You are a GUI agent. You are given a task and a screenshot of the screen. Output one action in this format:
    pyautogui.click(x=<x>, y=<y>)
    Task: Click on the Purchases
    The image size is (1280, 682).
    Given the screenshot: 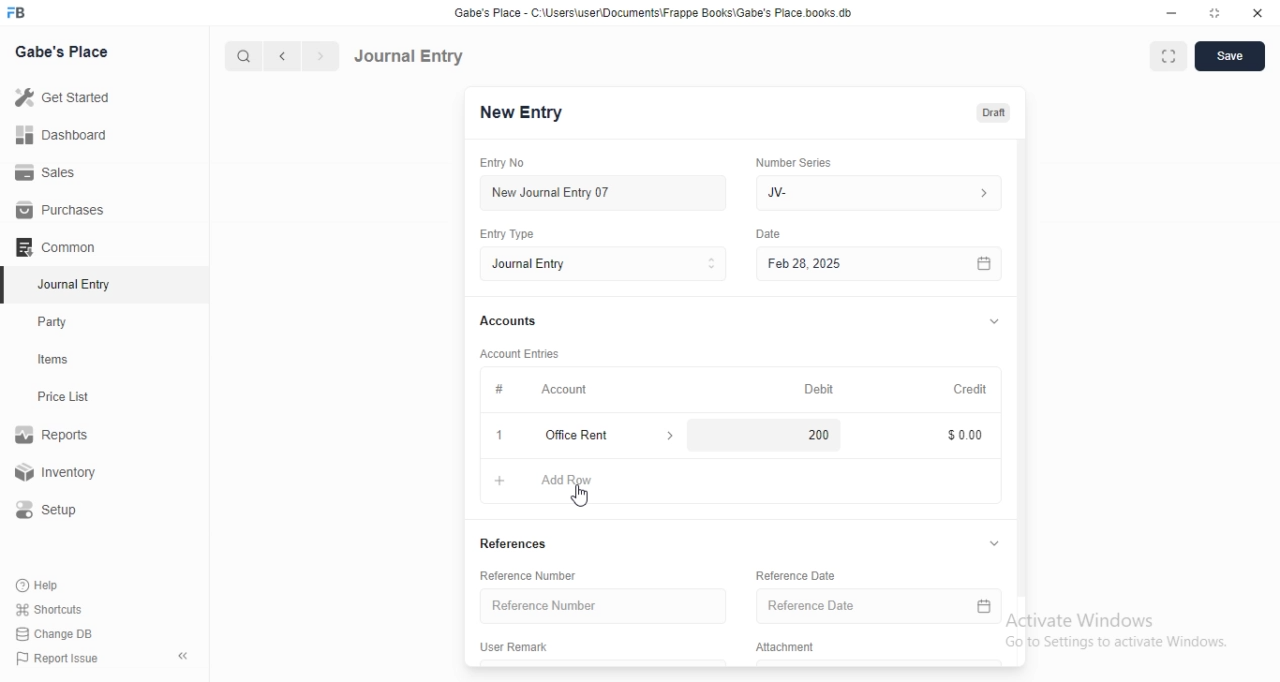 What is the action you would take?
    pyautogui.click(x=61, y=210)
    